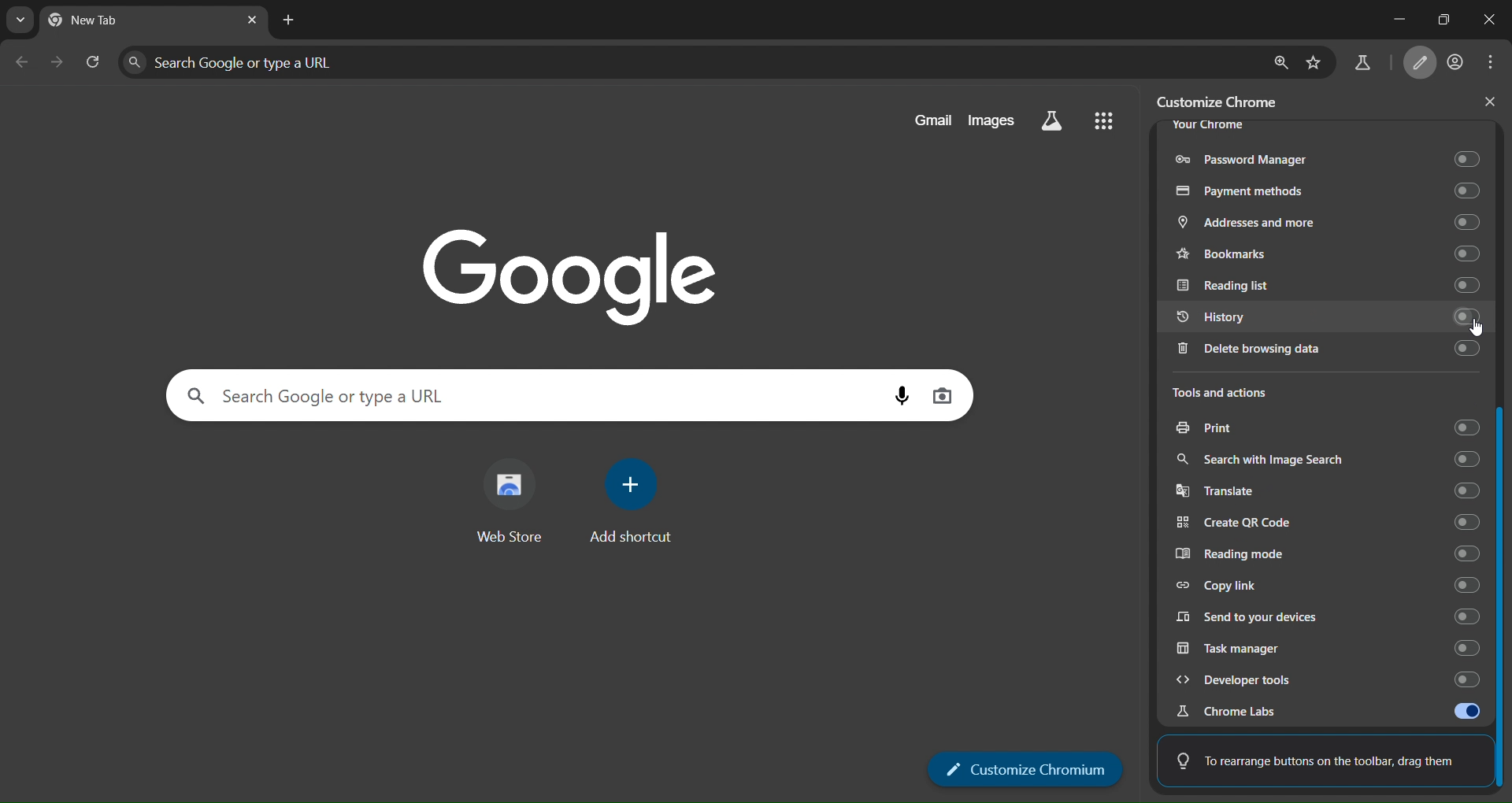 The height and width of the screenshot is (803, 1512). I want to click on payment methods, so click(1326, 190).